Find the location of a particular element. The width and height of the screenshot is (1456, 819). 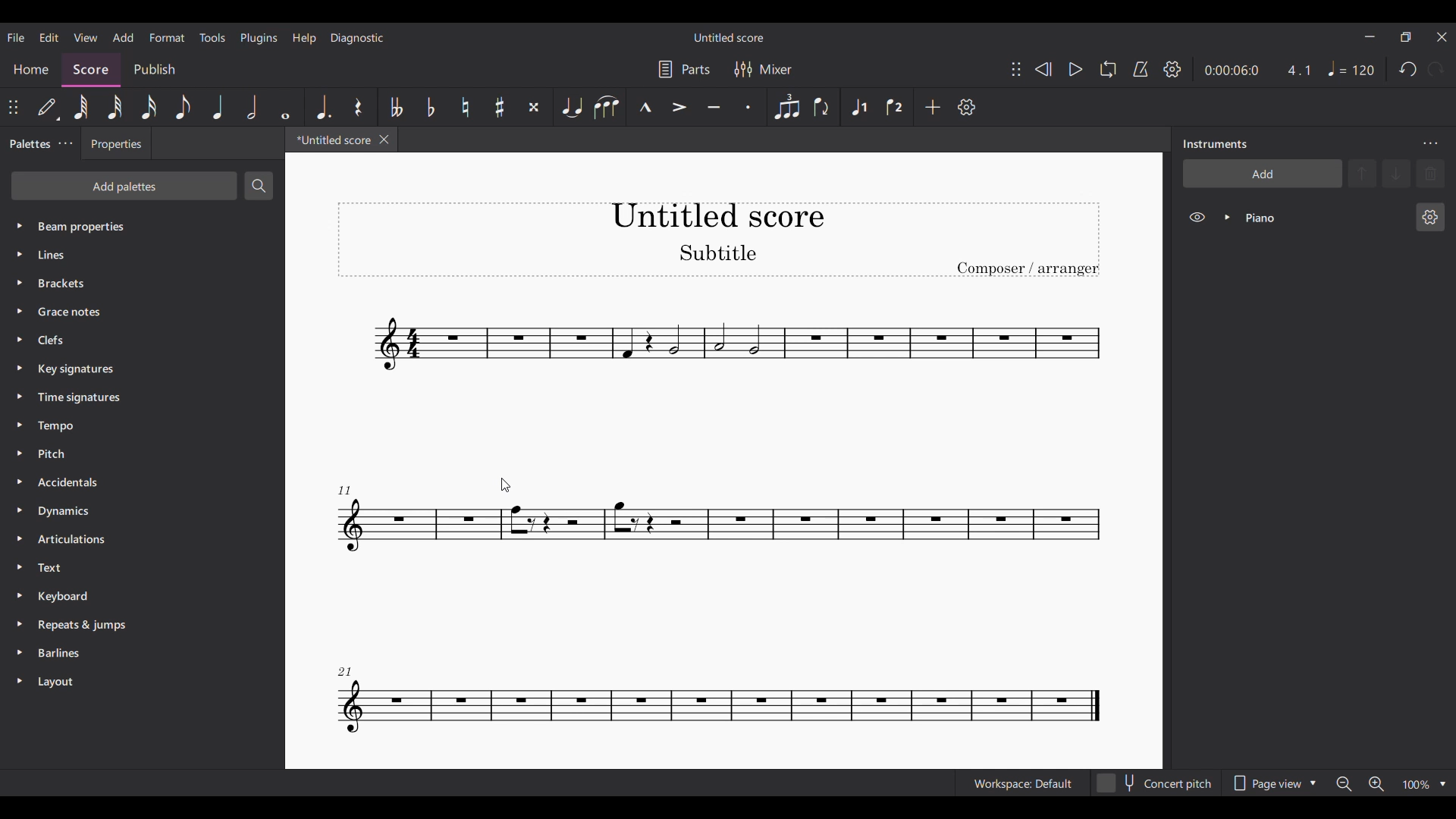

Current instrument is located at coordinates (1324, 218).